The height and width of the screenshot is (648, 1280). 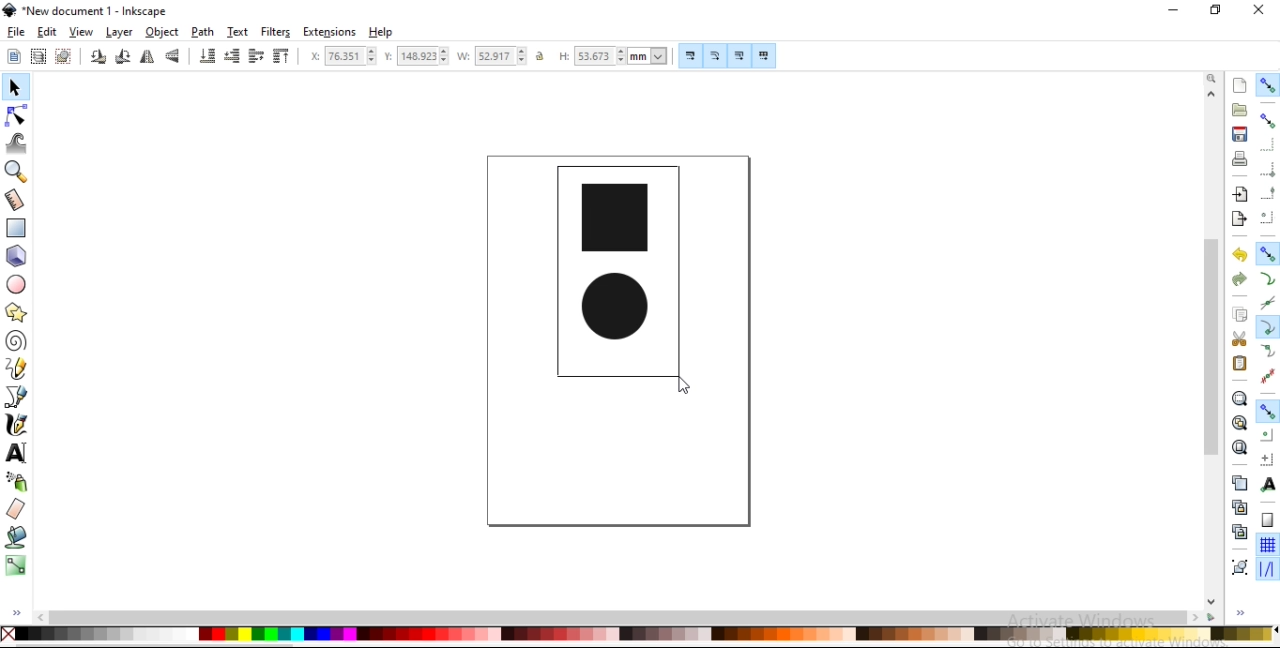 I want to click on scale stroke width by same proportion , so click(x=690, y=56).